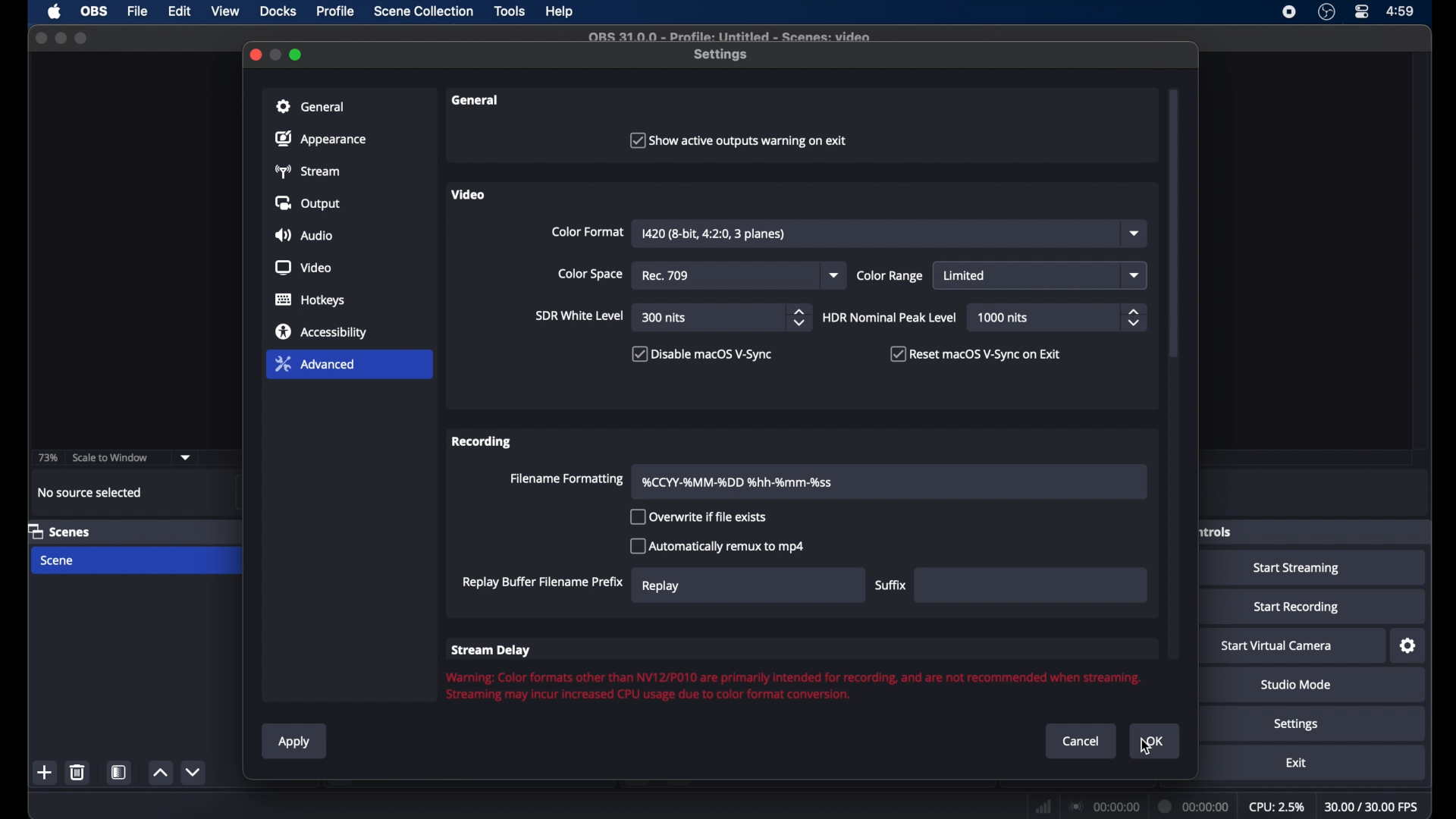 The image size is (1456, 819). What do you see at coordinates (303, 268) in the screenshot?
I see `video` at bounding box center [303, 268].